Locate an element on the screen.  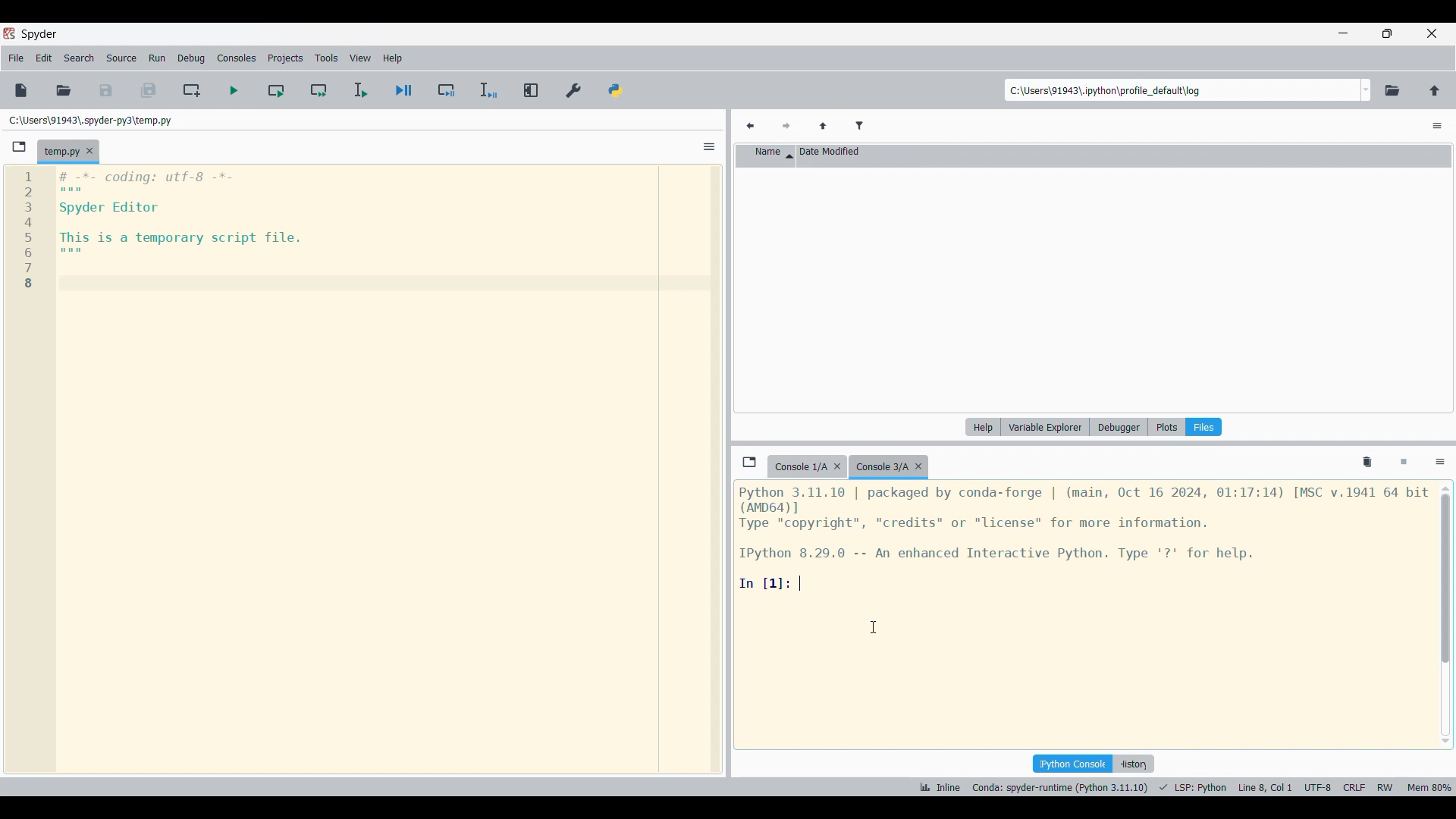
Location changed is located at coordinates (1104, 90).